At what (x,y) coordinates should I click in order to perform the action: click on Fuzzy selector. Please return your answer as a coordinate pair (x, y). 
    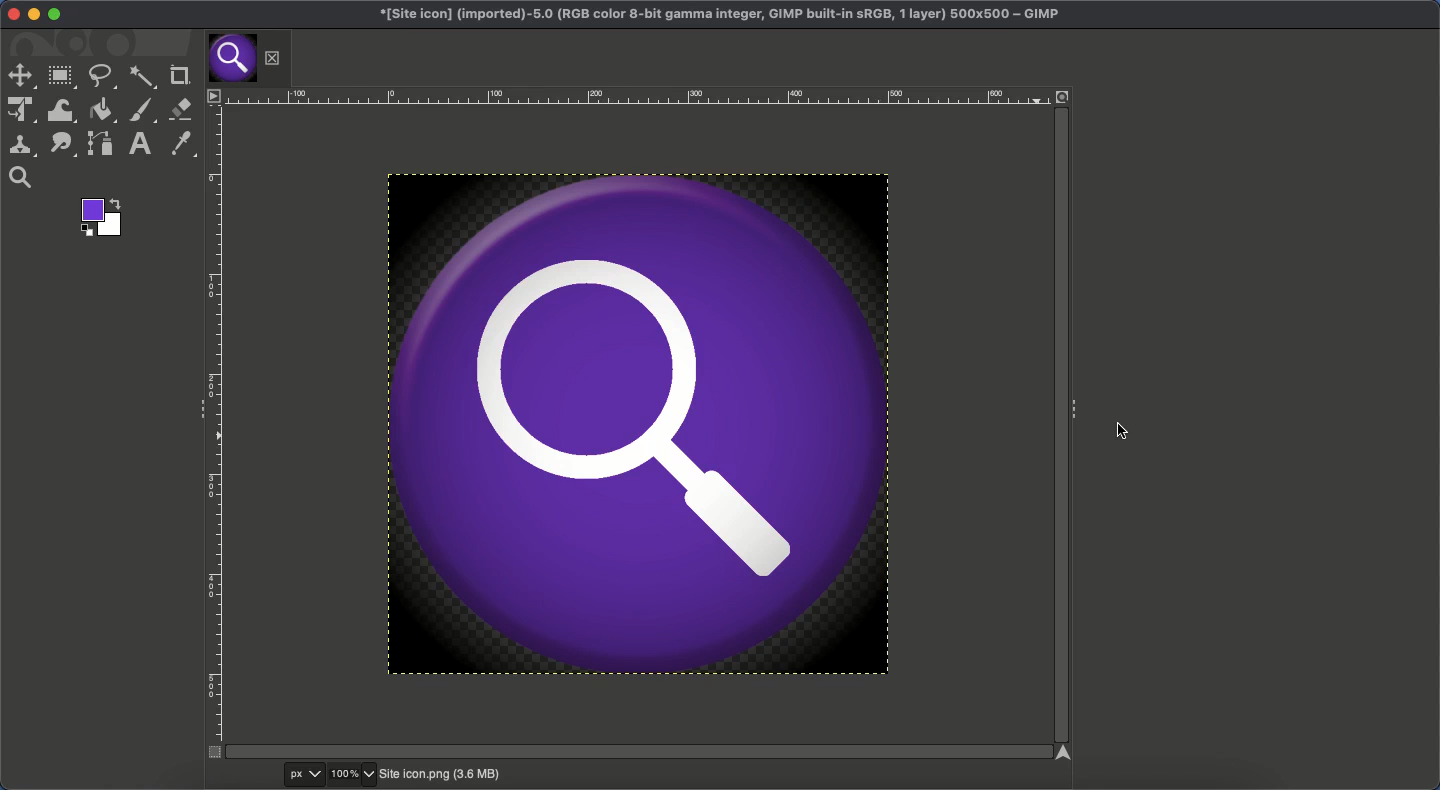
    Looking at the image, I should click on (142, 79).